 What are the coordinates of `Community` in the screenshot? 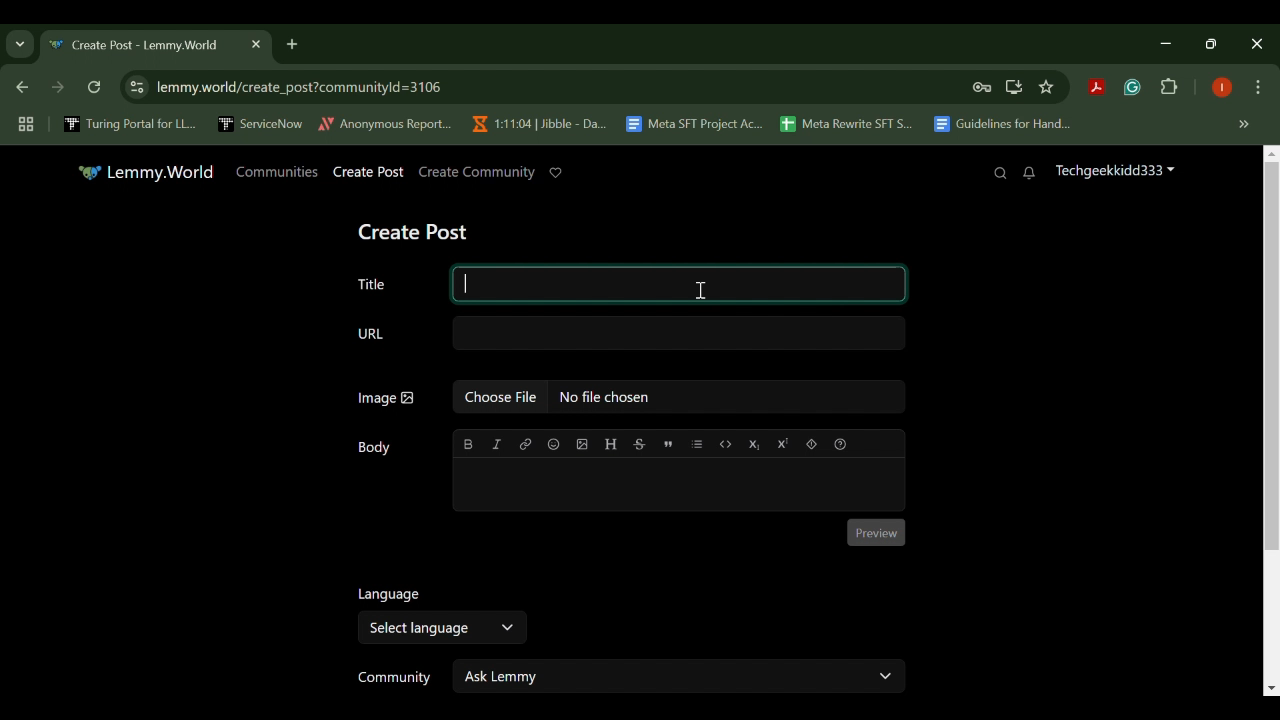 It's located at (390, 678).